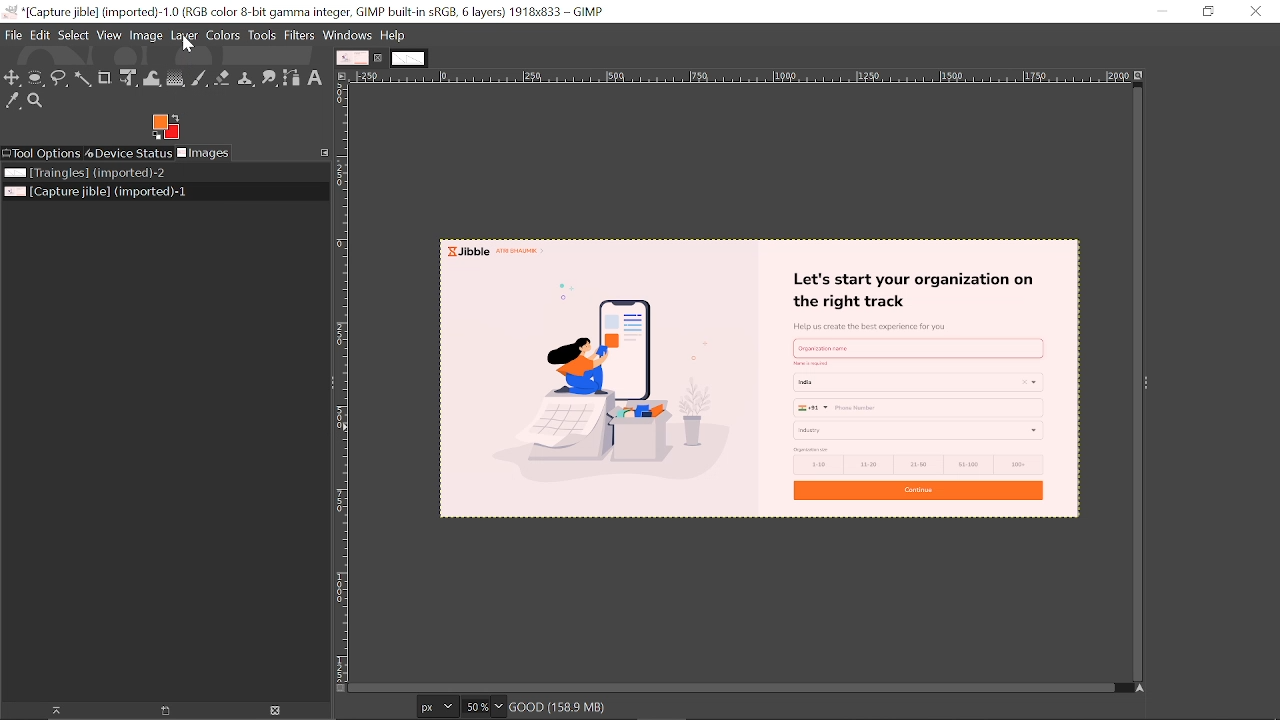  Describe the element at coordinates (342, 383) in the screenshot. I see `Vertical label` at that location.